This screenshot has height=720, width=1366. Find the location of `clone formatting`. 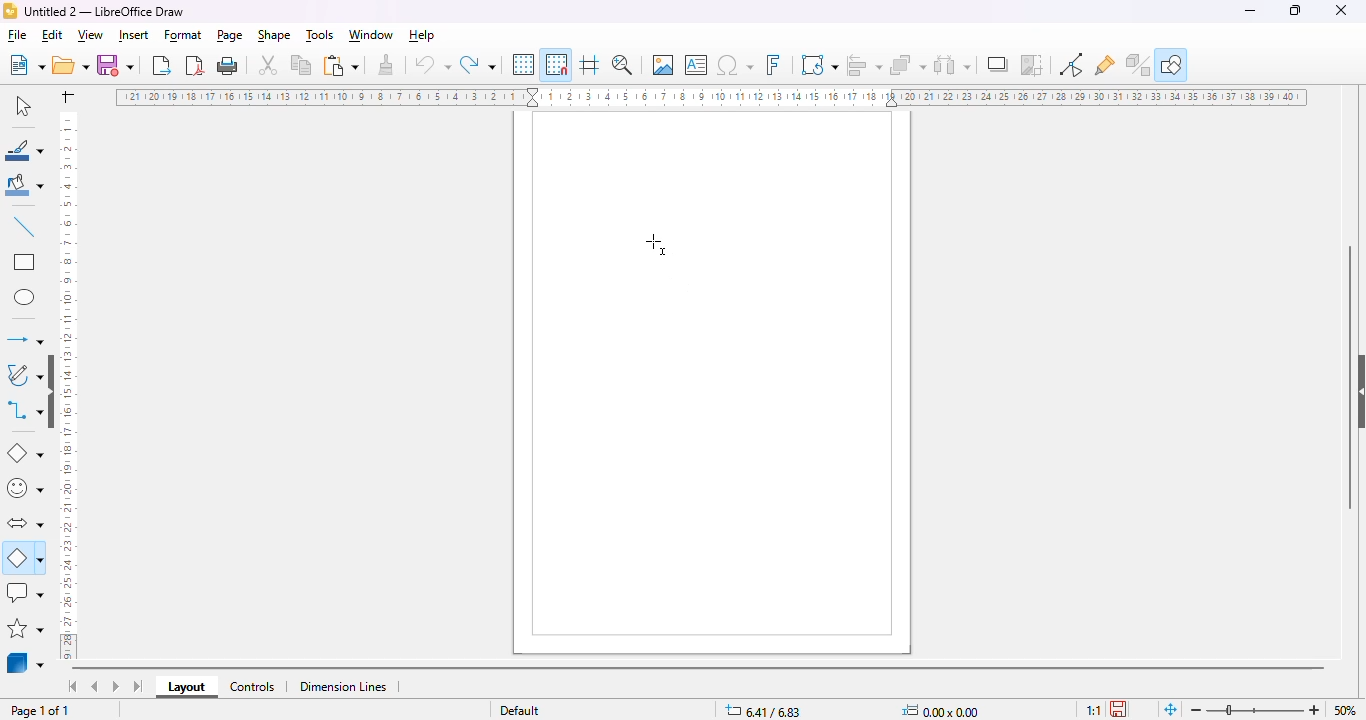

clone formatting is located at coordinates (386, 65).